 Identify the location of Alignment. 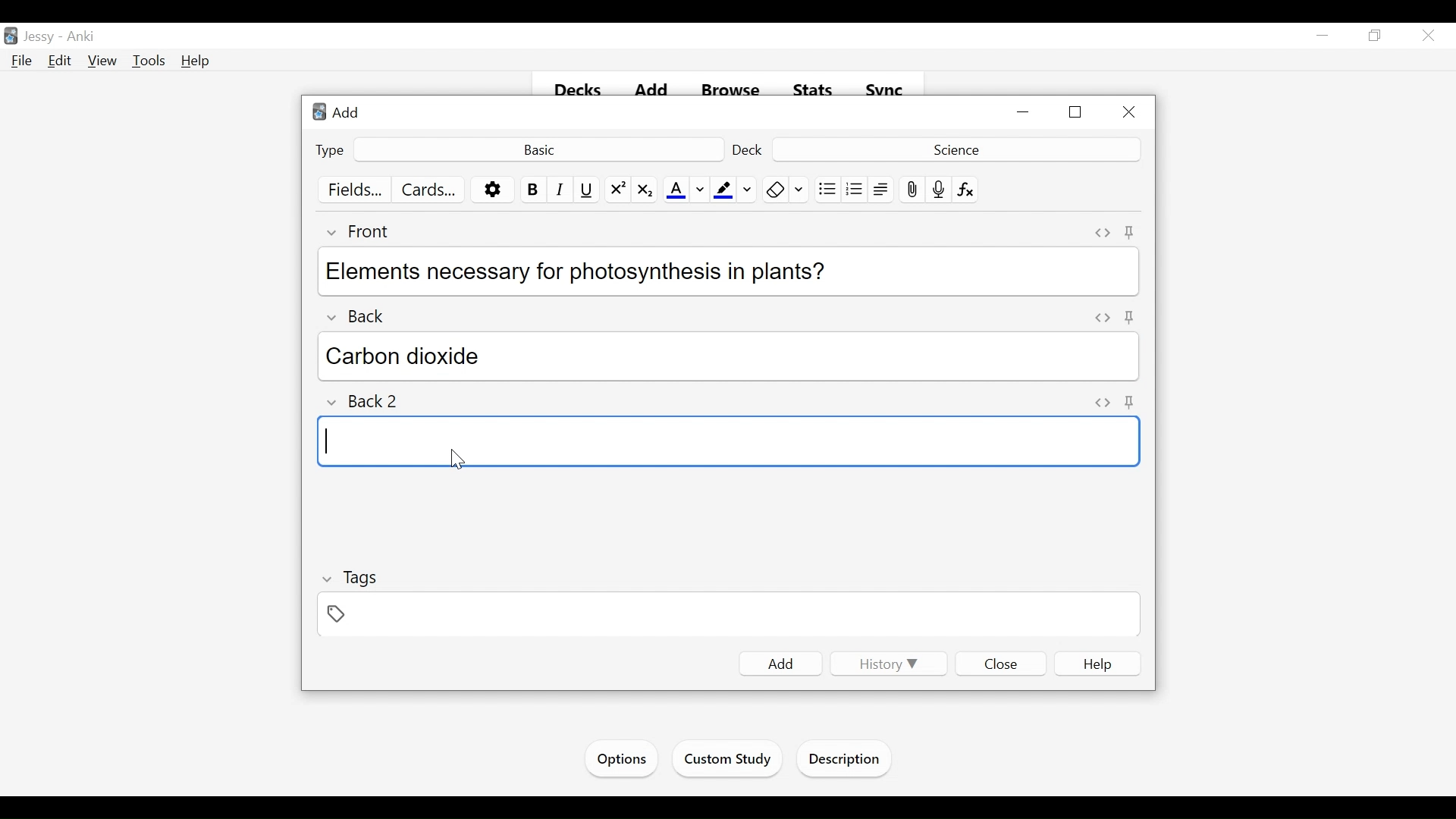
(881, 190).